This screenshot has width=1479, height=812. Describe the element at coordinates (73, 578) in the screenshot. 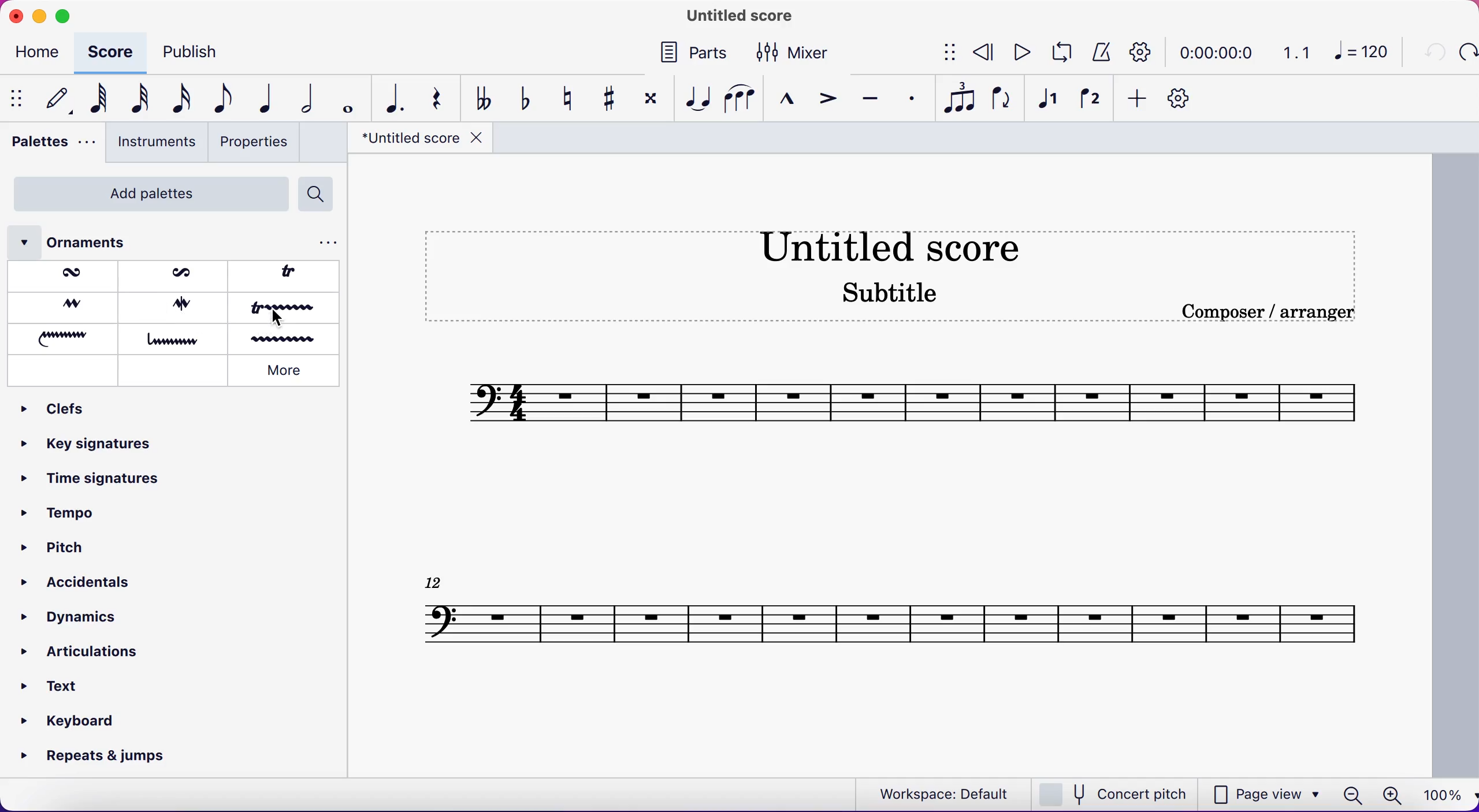

I see `accidentals` at that location.